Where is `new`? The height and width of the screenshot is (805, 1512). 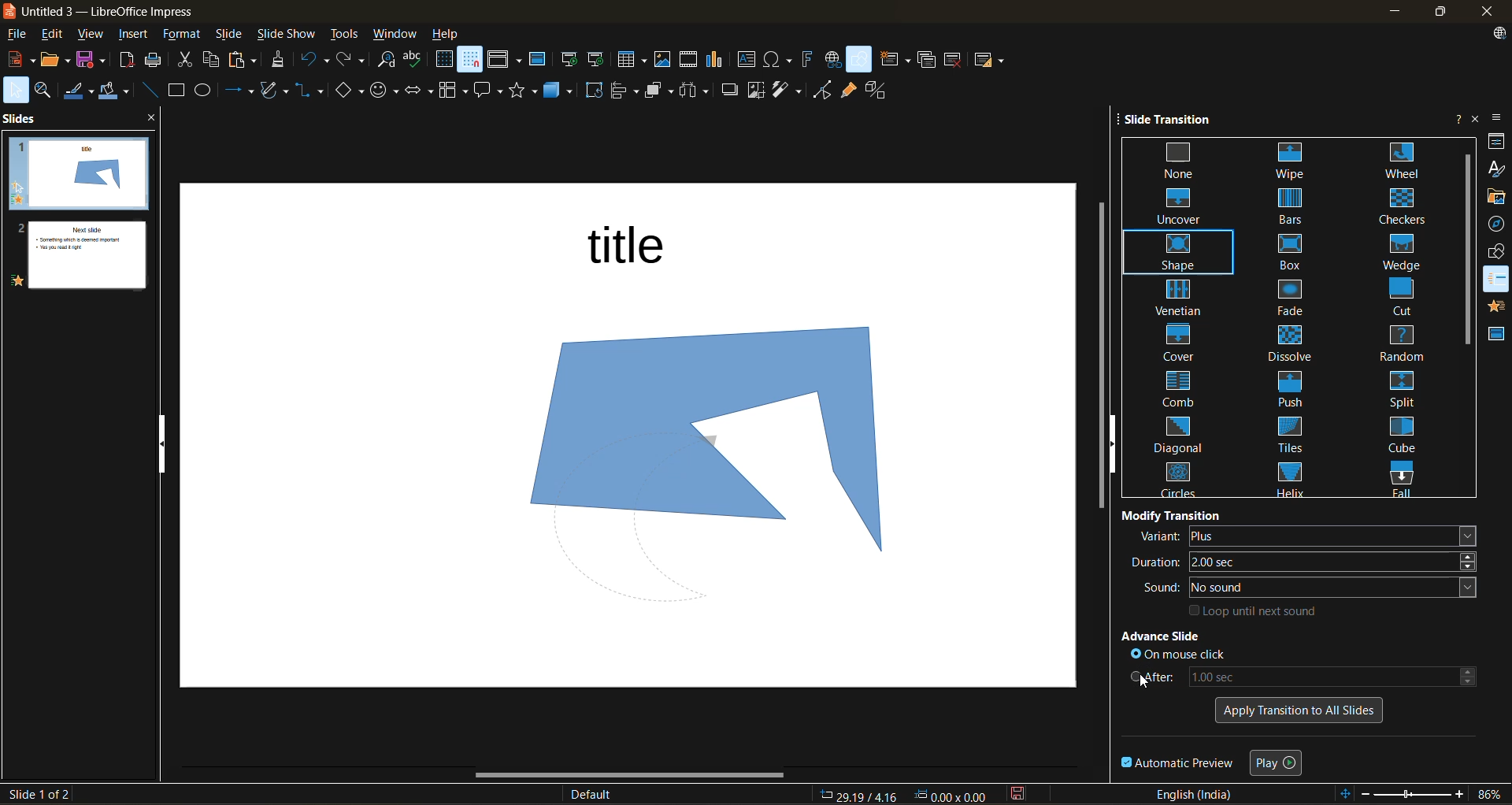 new is located at coordinates (18, 61).